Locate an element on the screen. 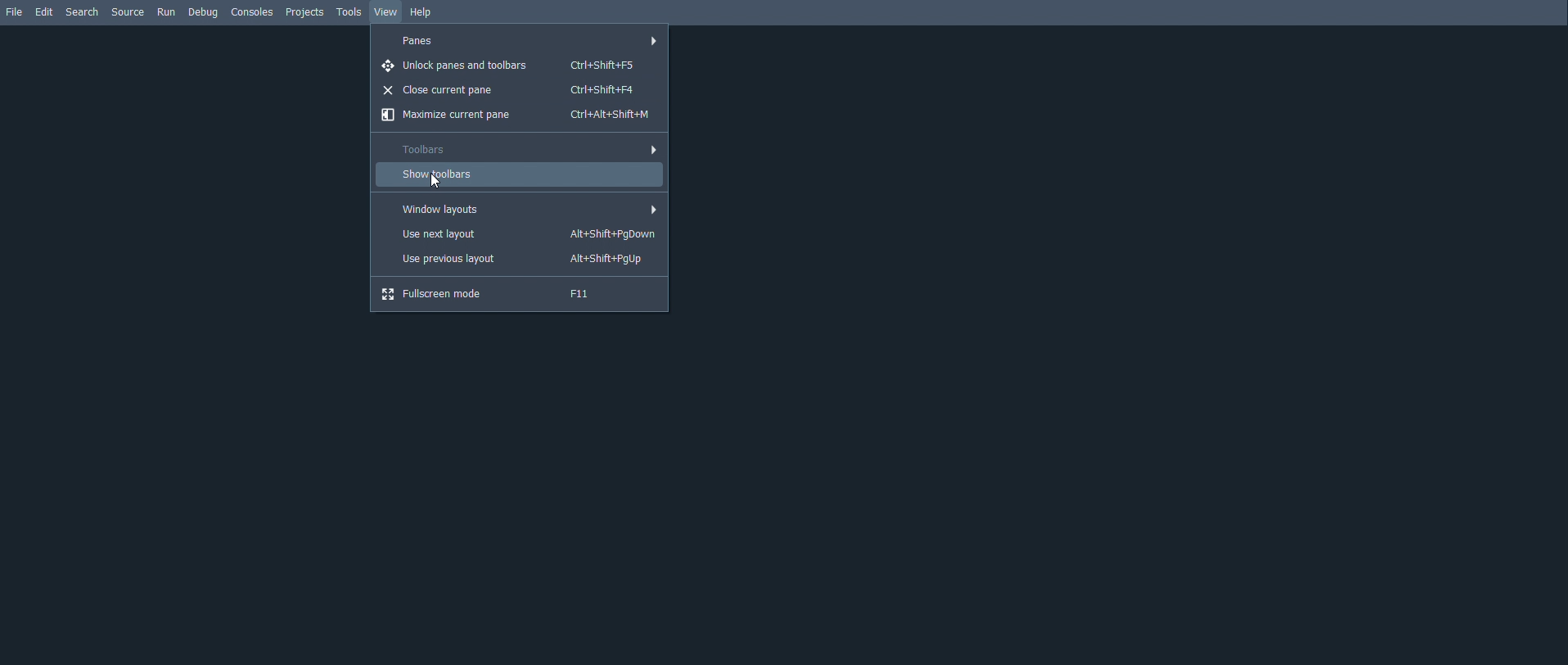 This screenshot has width=1568, height=665. View is located at coordinates (388, 12).